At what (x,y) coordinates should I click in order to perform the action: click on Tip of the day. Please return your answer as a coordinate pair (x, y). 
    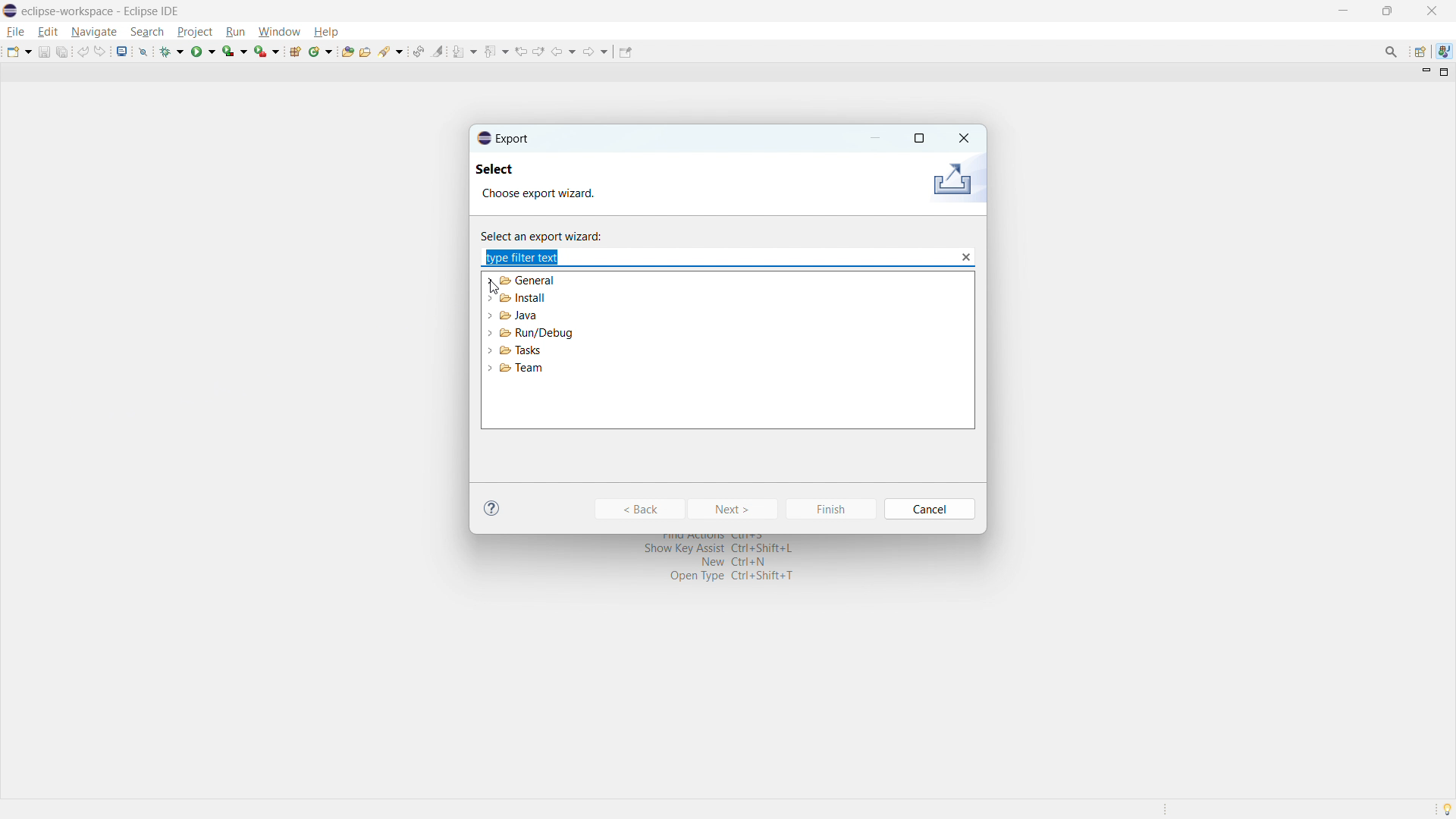
    Looking at the image, I should click on (1439, 810).